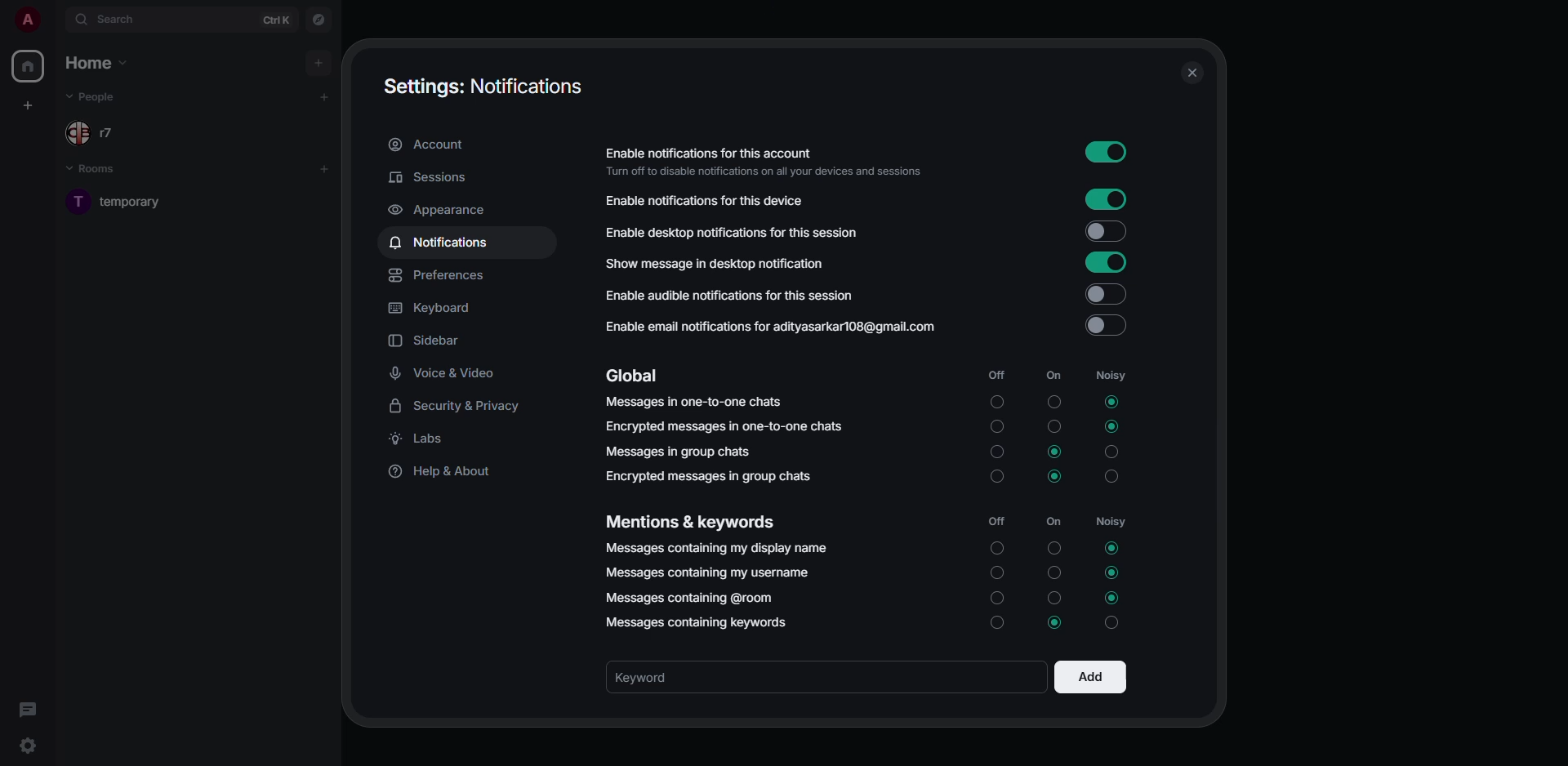 Image resolution: width=1568 pixels, height=766 pixels. Describe the element at coordinates (1104, 231) in the screenshot. I see `click to disable/enable` at that location.